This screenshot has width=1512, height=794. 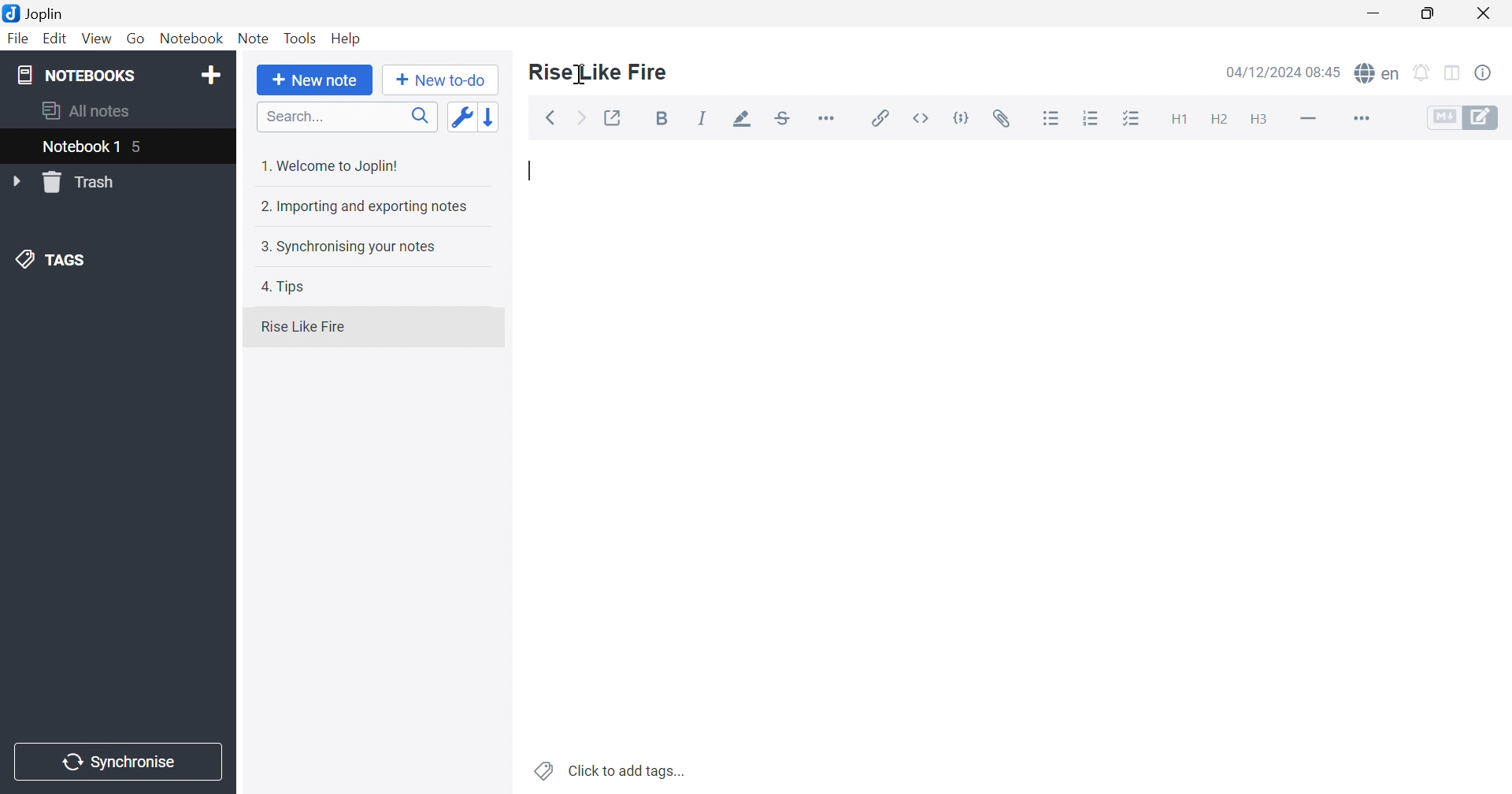 I want to click on 5, so click(x=140, y=149).